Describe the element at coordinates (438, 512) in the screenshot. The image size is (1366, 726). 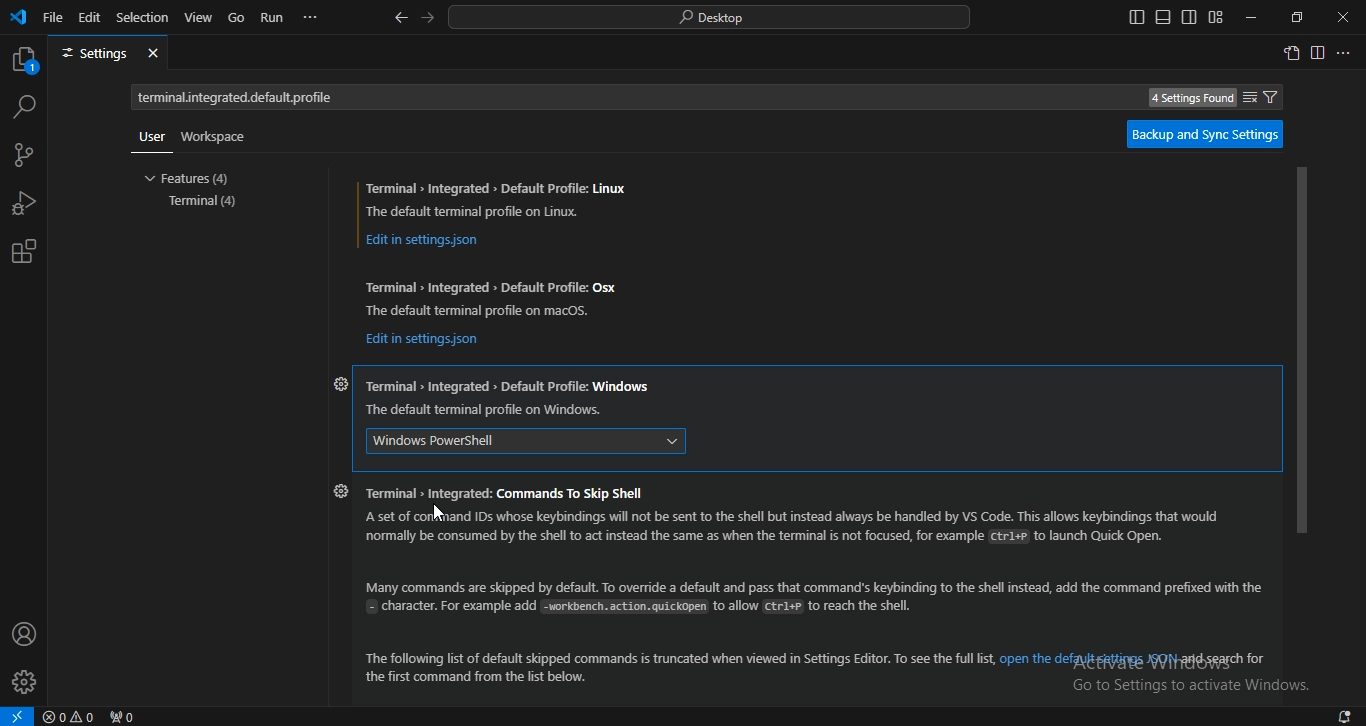
I see `cursor` at that location.